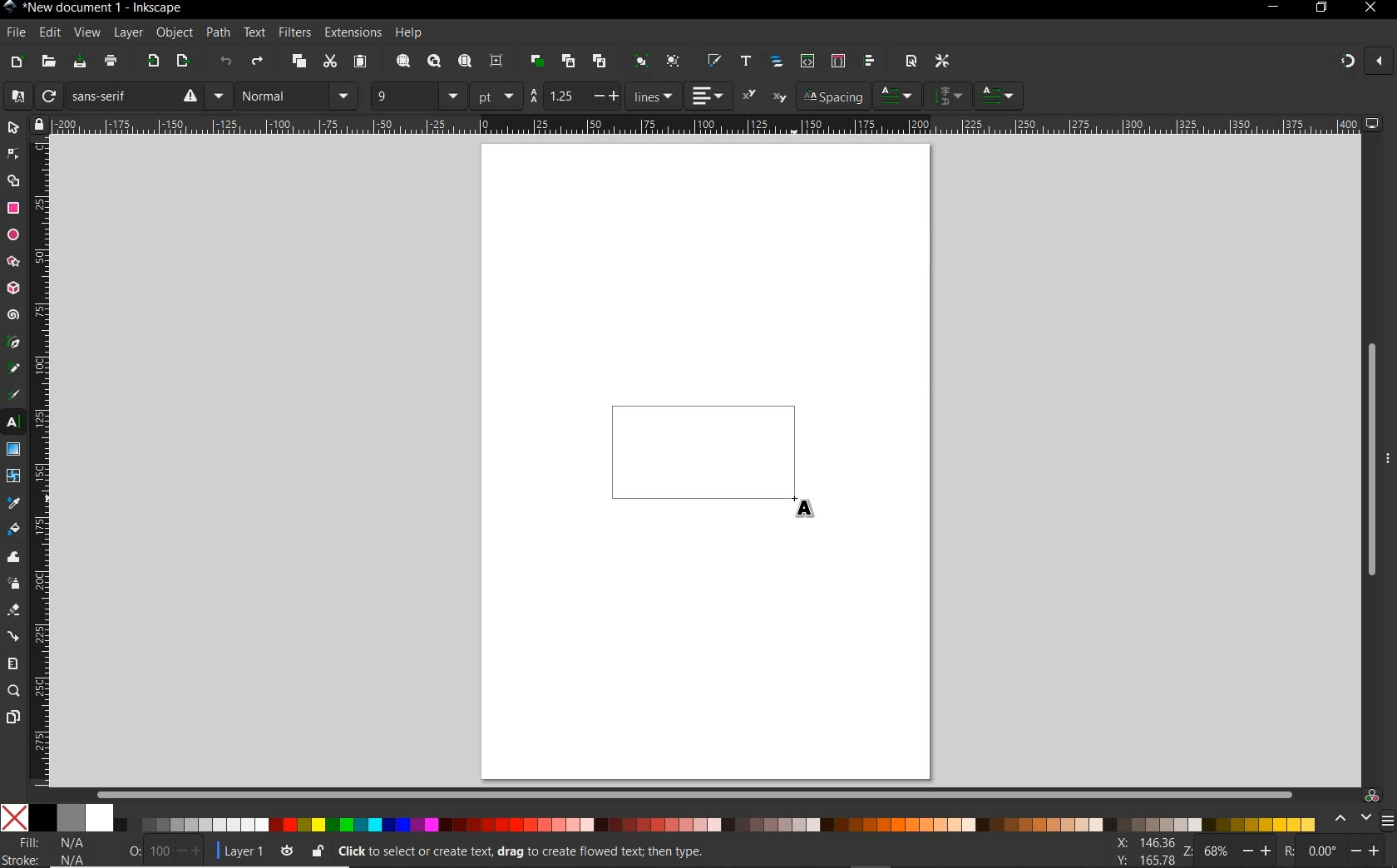 This screenshot has height=868, width=1397. What do you see at coordinates (673, 62) in the screenshot?
I see `ungroup` at bounding box center [673, 62].